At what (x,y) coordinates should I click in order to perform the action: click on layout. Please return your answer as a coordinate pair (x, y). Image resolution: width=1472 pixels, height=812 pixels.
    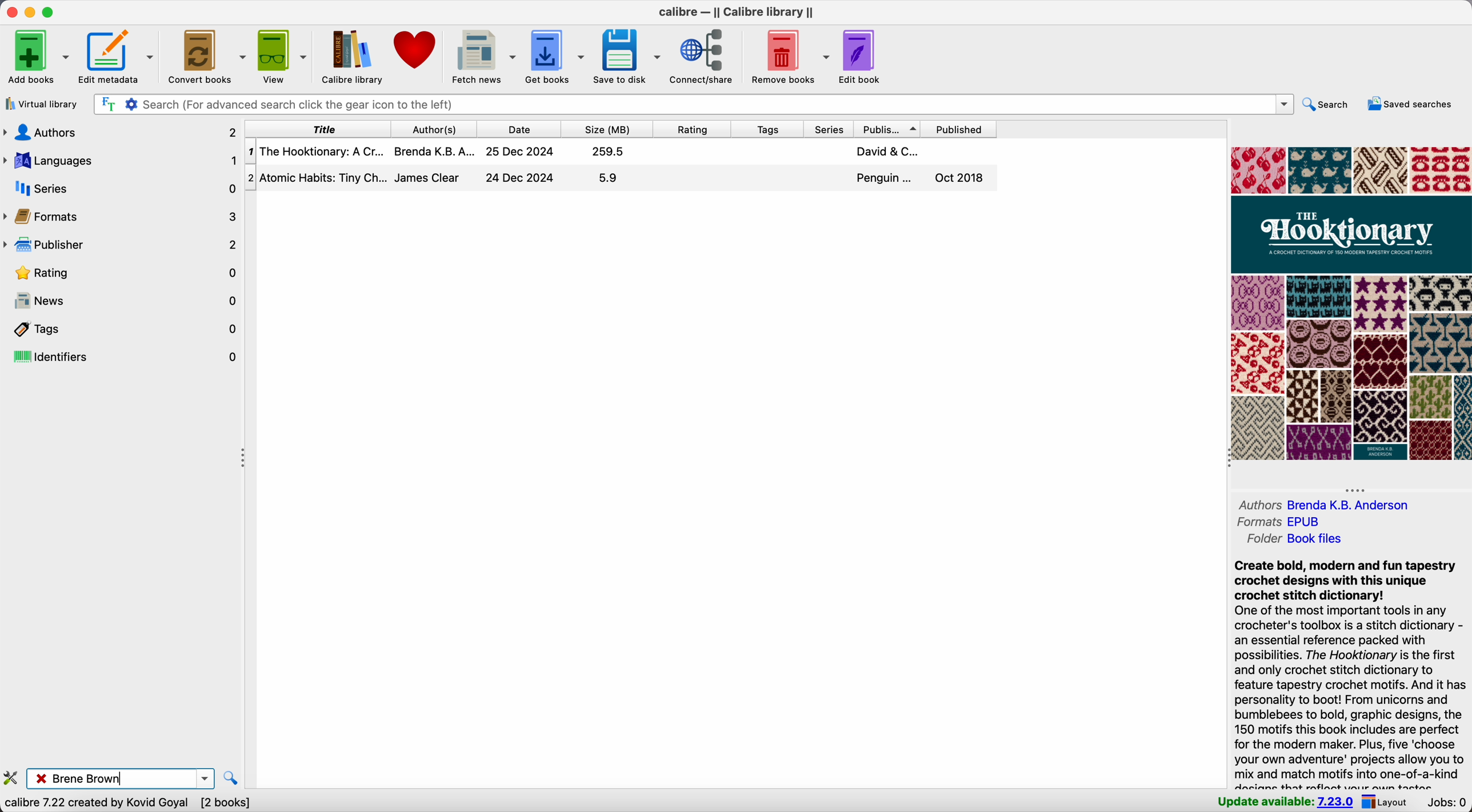
    Looking at the image, I should click on (1386, 802).